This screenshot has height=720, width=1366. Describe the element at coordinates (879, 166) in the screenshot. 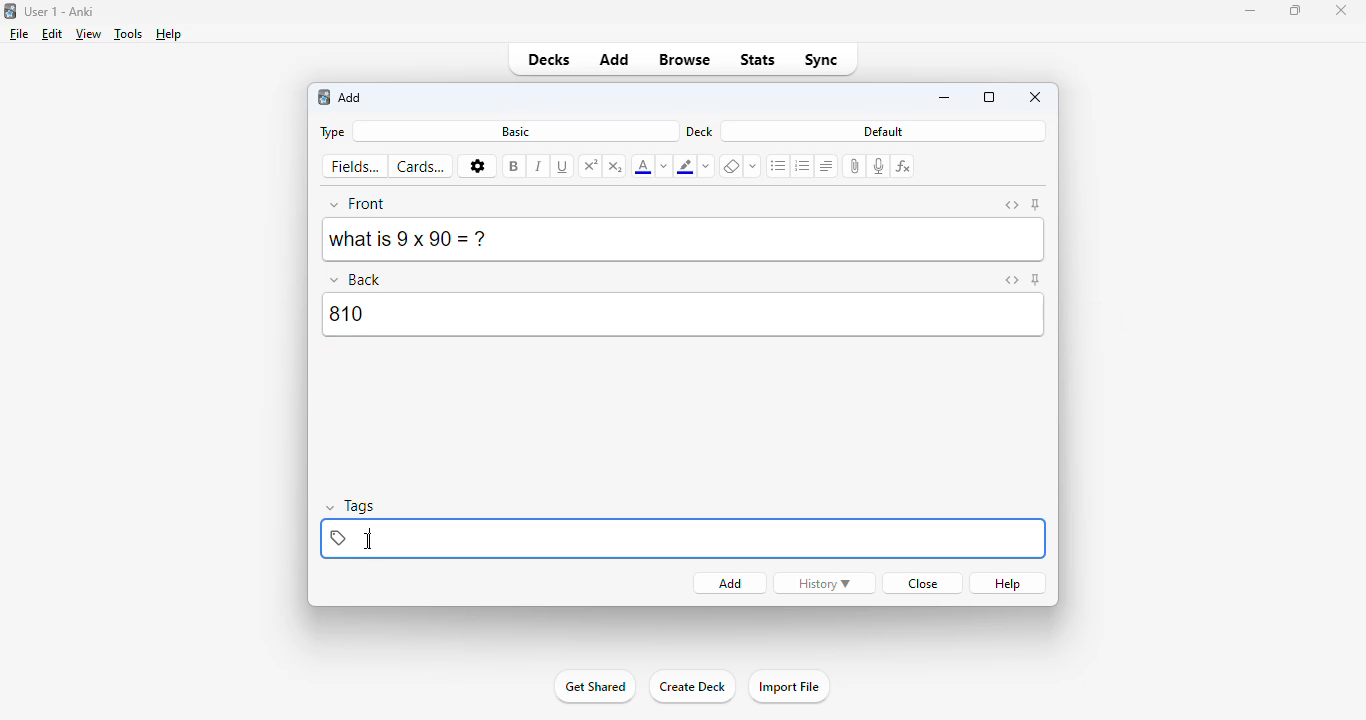

I see `record audio` at that location.